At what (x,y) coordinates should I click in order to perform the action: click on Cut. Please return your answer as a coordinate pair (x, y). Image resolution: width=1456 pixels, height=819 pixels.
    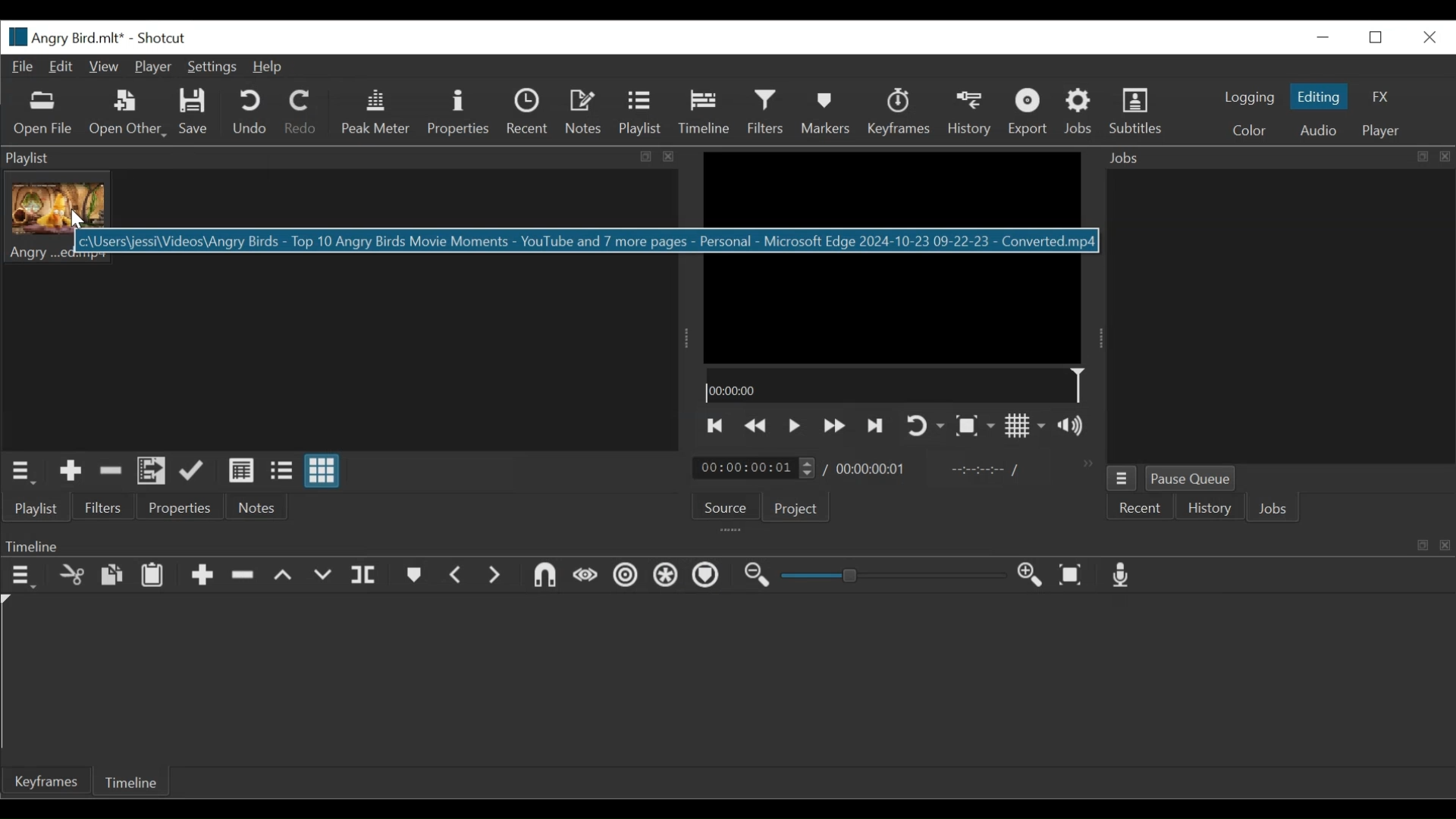
    Looking at the image, I should click on (111, 473).